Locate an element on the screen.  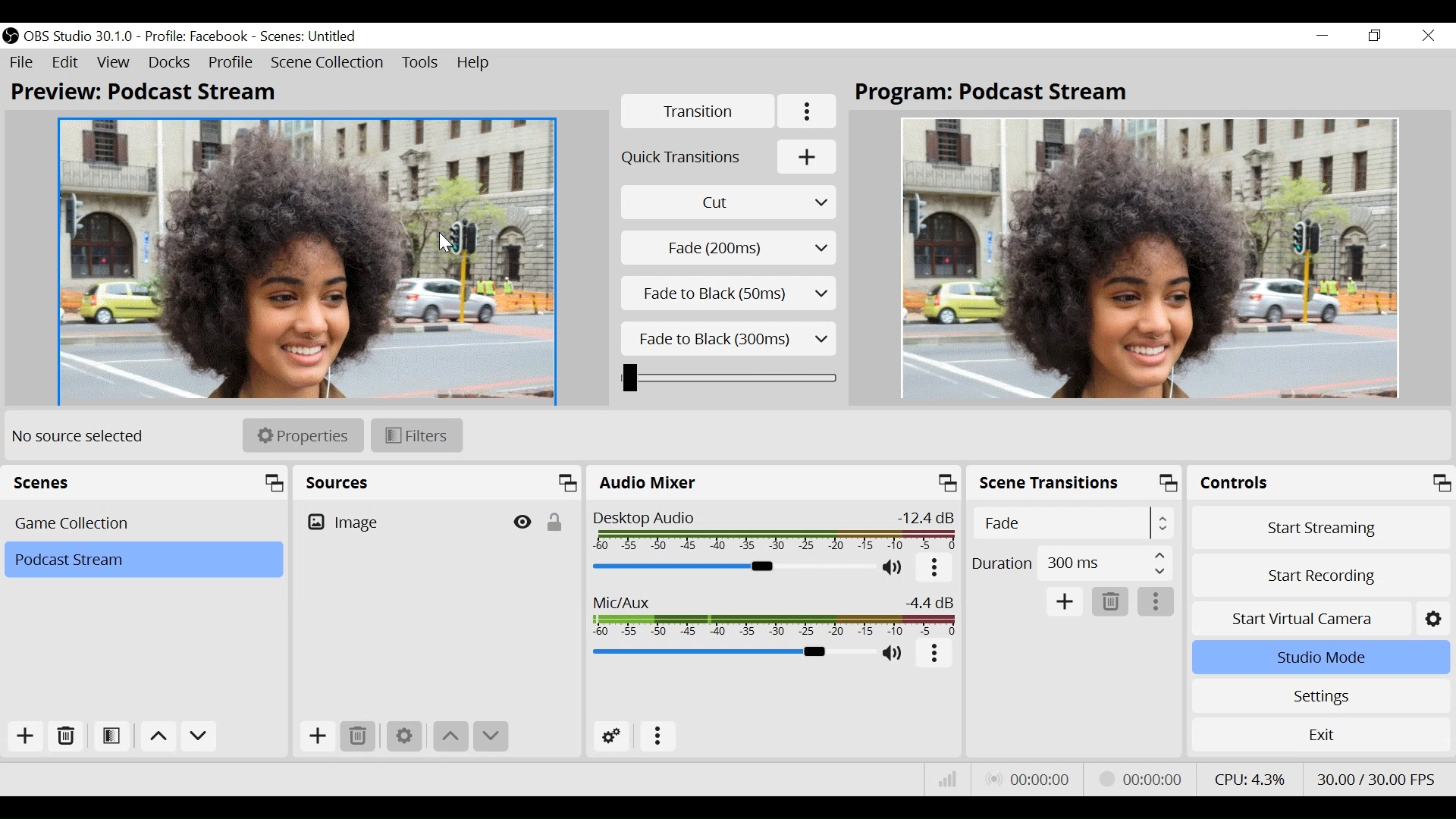
Desktop Audio is located at coordinates (773, 531).